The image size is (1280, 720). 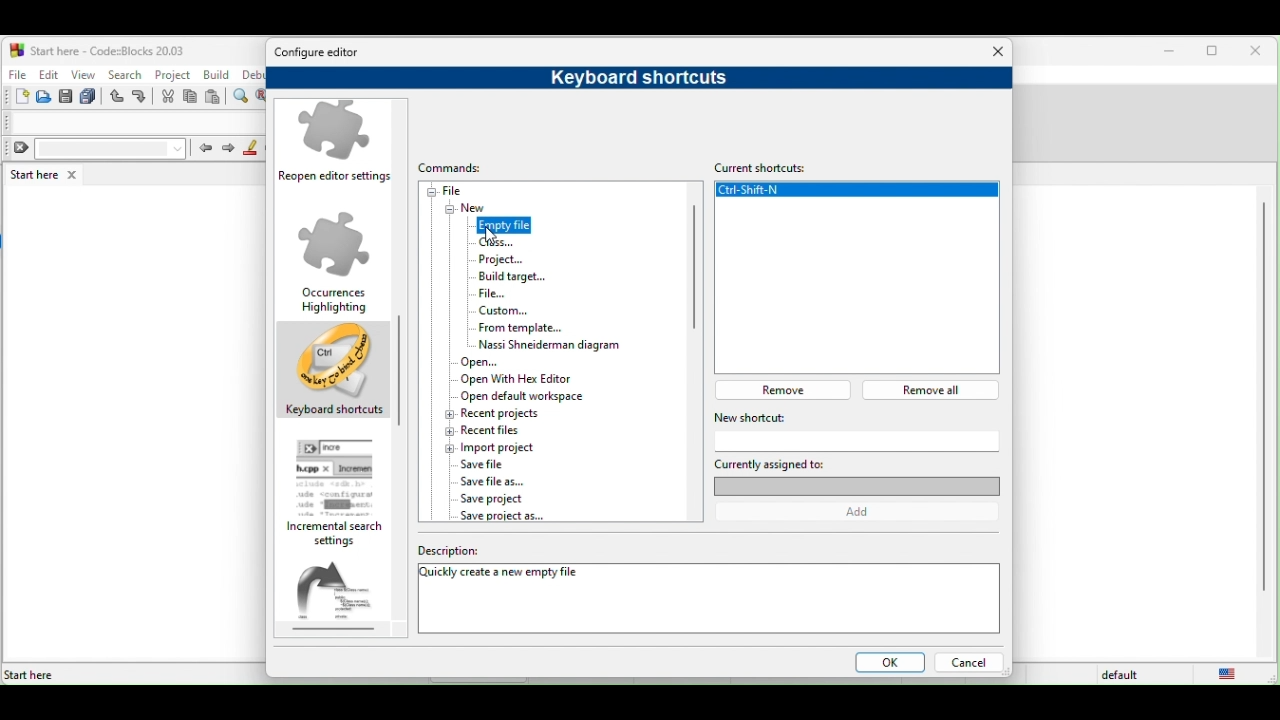 I want to click on start here, so click(x=47, y=174).